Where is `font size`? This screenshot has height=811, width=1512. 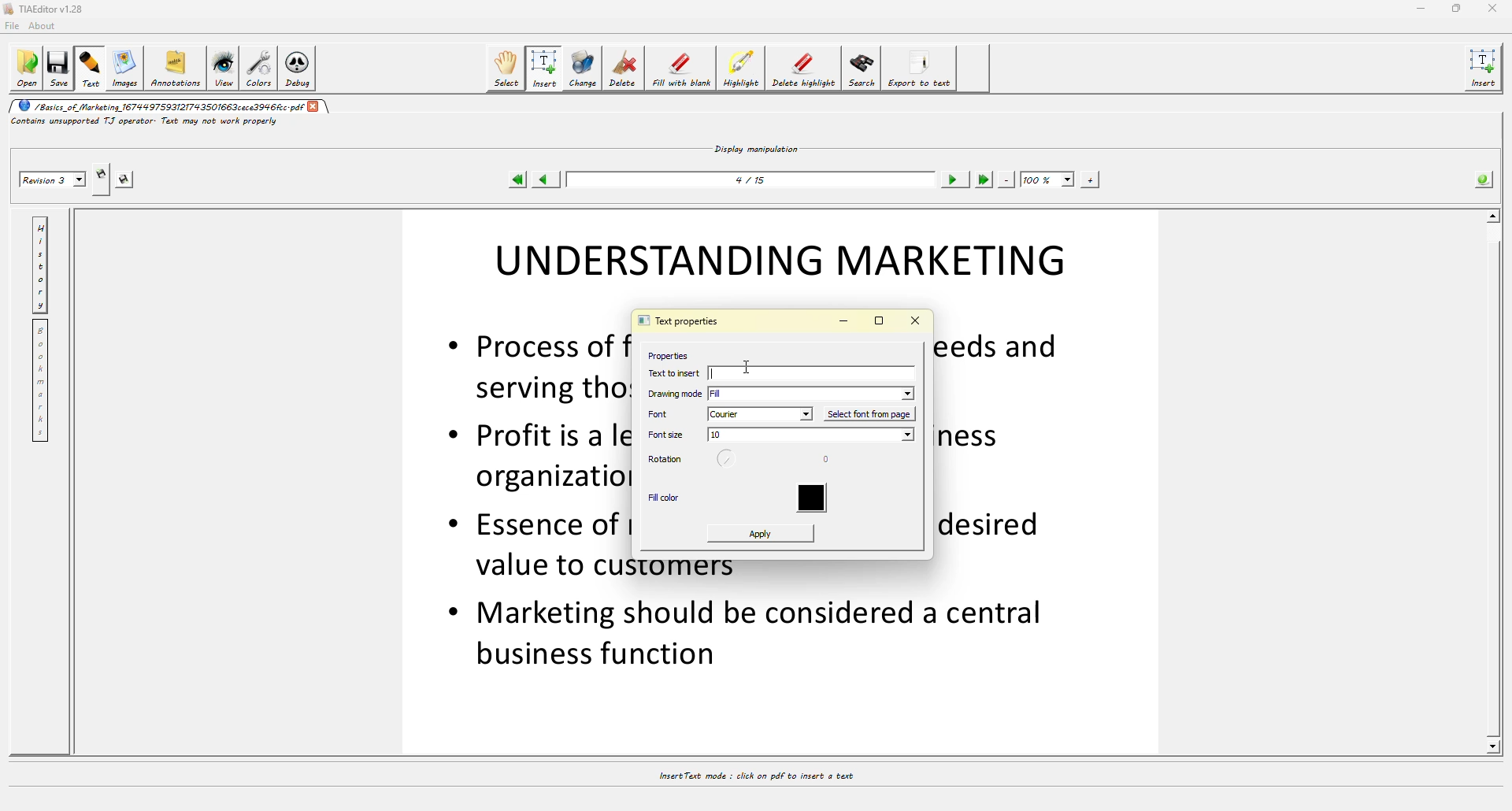 font size is located at coordinates (668, 435).